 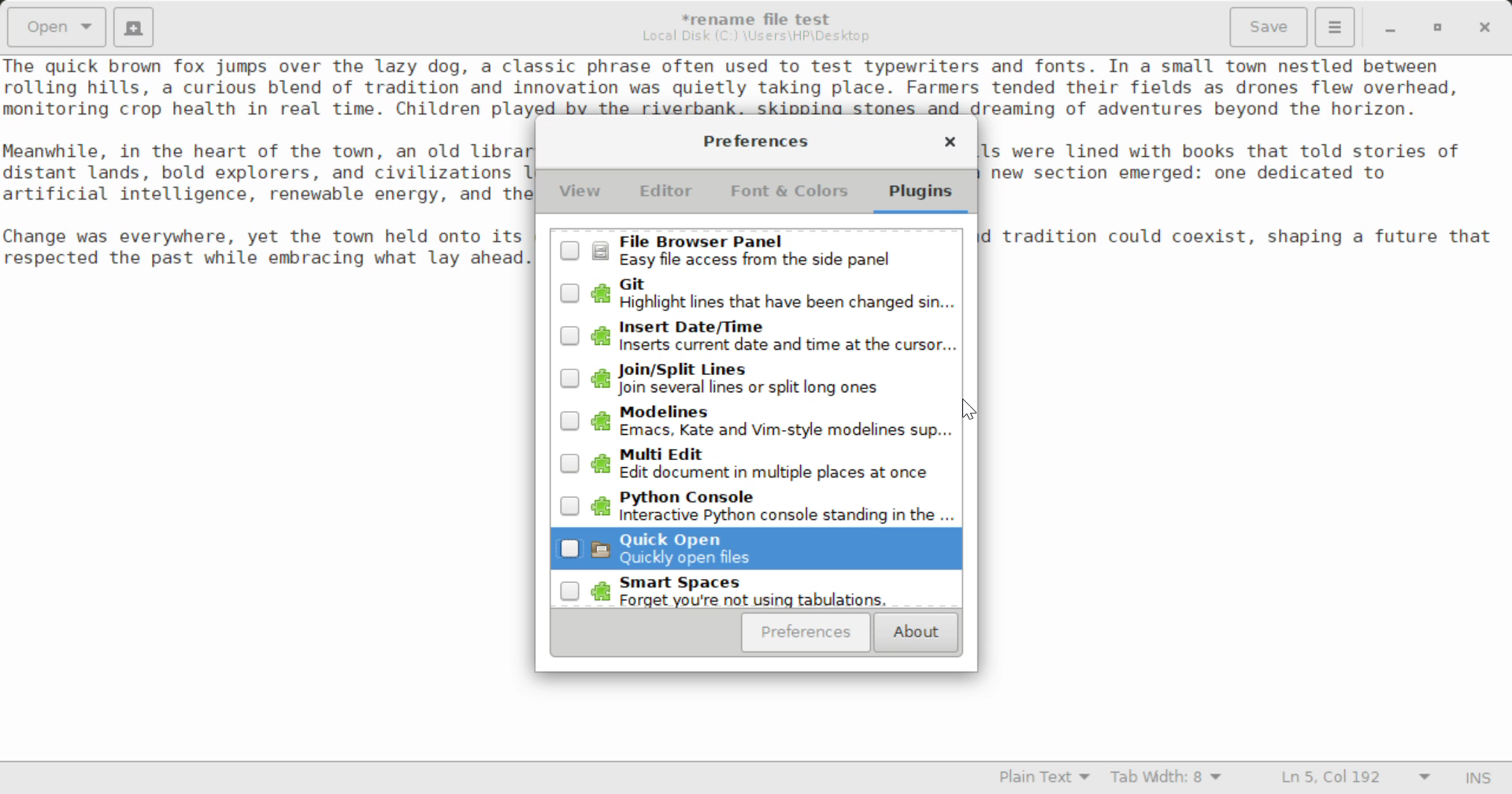 What do you see at coordinates (760, 293) in the screenshot?
I see `Unselected Git Plugin` at bounding box center [760, 293].